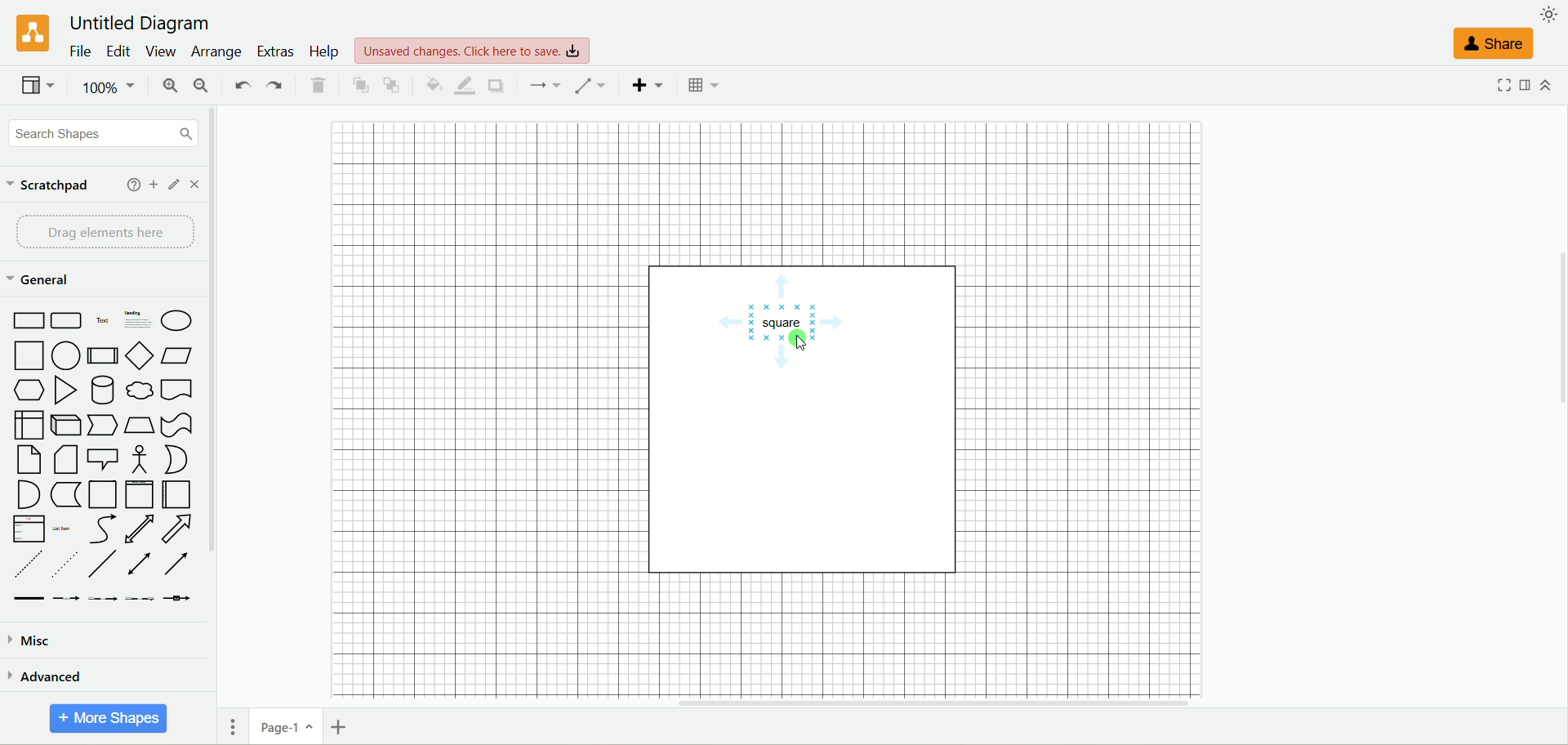 The image size is (1568, 745). I want to click on insert page, so click(341, 725).